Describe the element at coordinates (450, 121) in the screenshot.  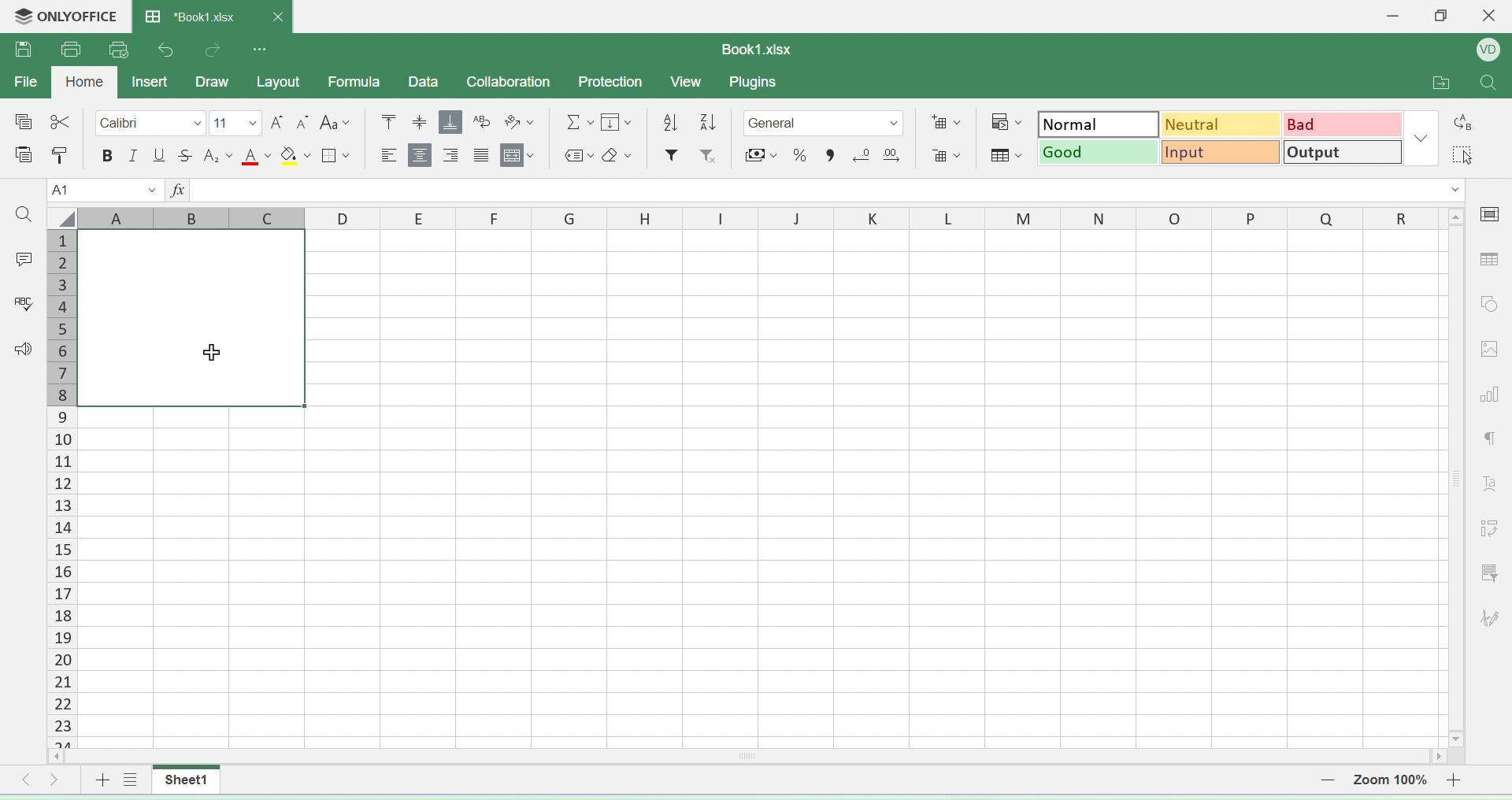
I see `aqlign bottom` at that location.